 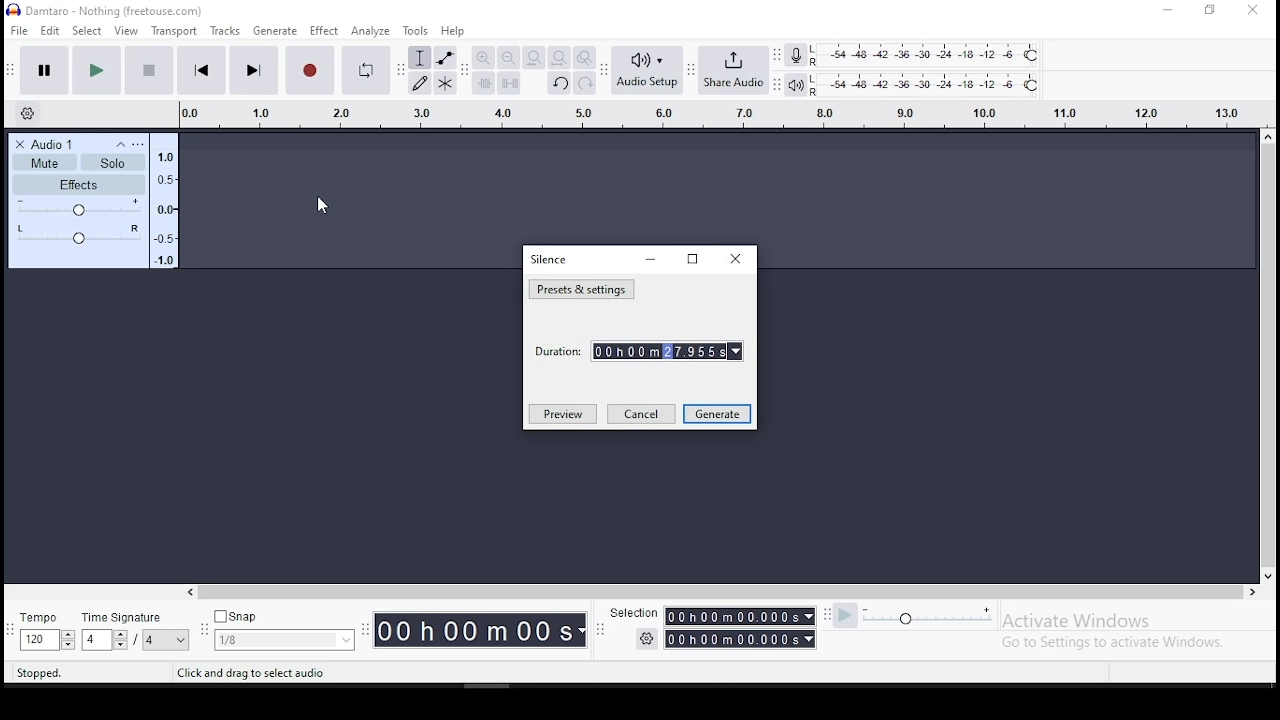 I want to click on generate, so click(x=273, y=31).